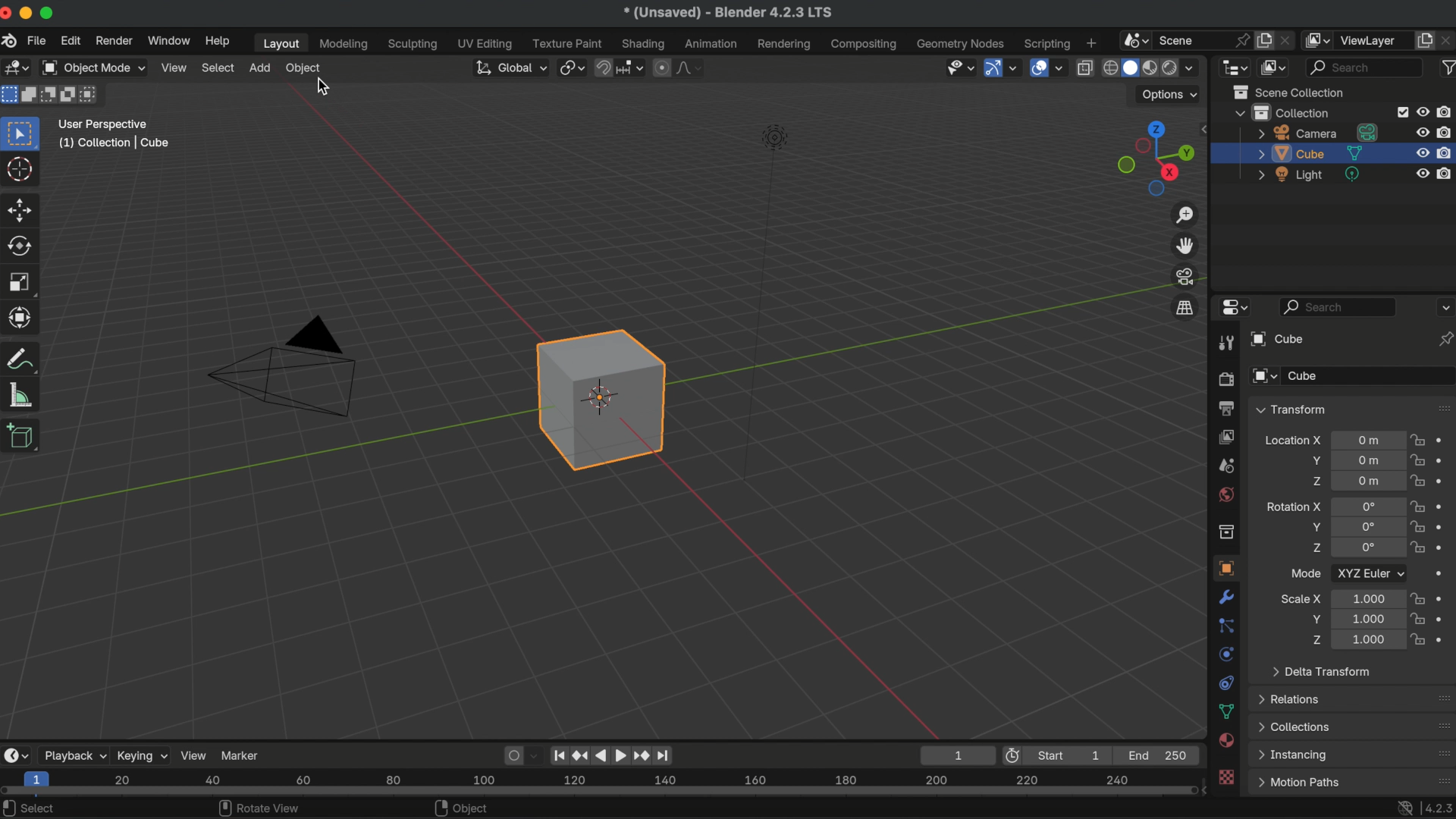 This screenshot has height=819, width=1456. Describe the element at coordinates (1443, 441) in the screenshot. I see `animate property` at that location.